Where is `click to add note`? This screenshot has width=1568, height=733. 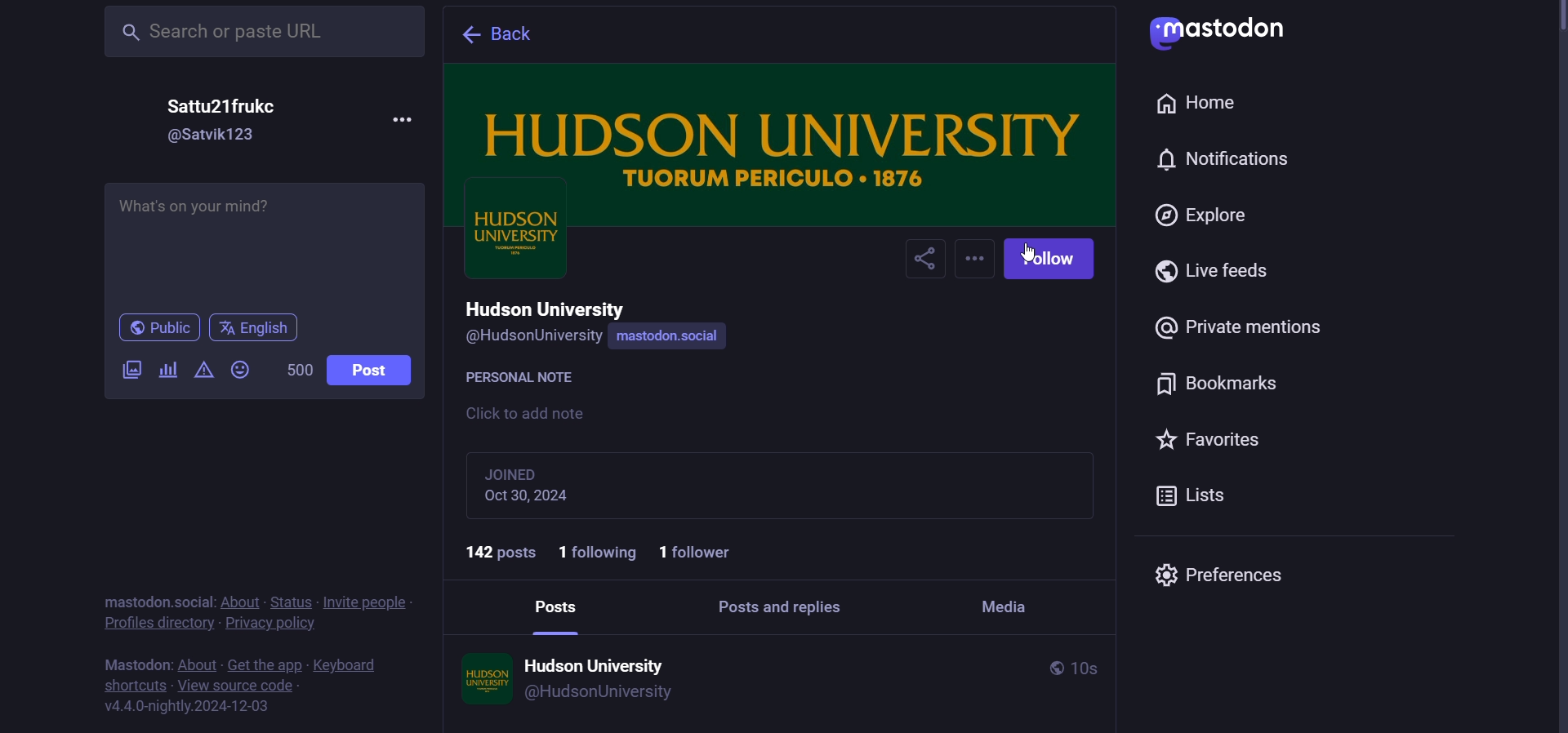
click to add note is located at coordinates (532, 415).